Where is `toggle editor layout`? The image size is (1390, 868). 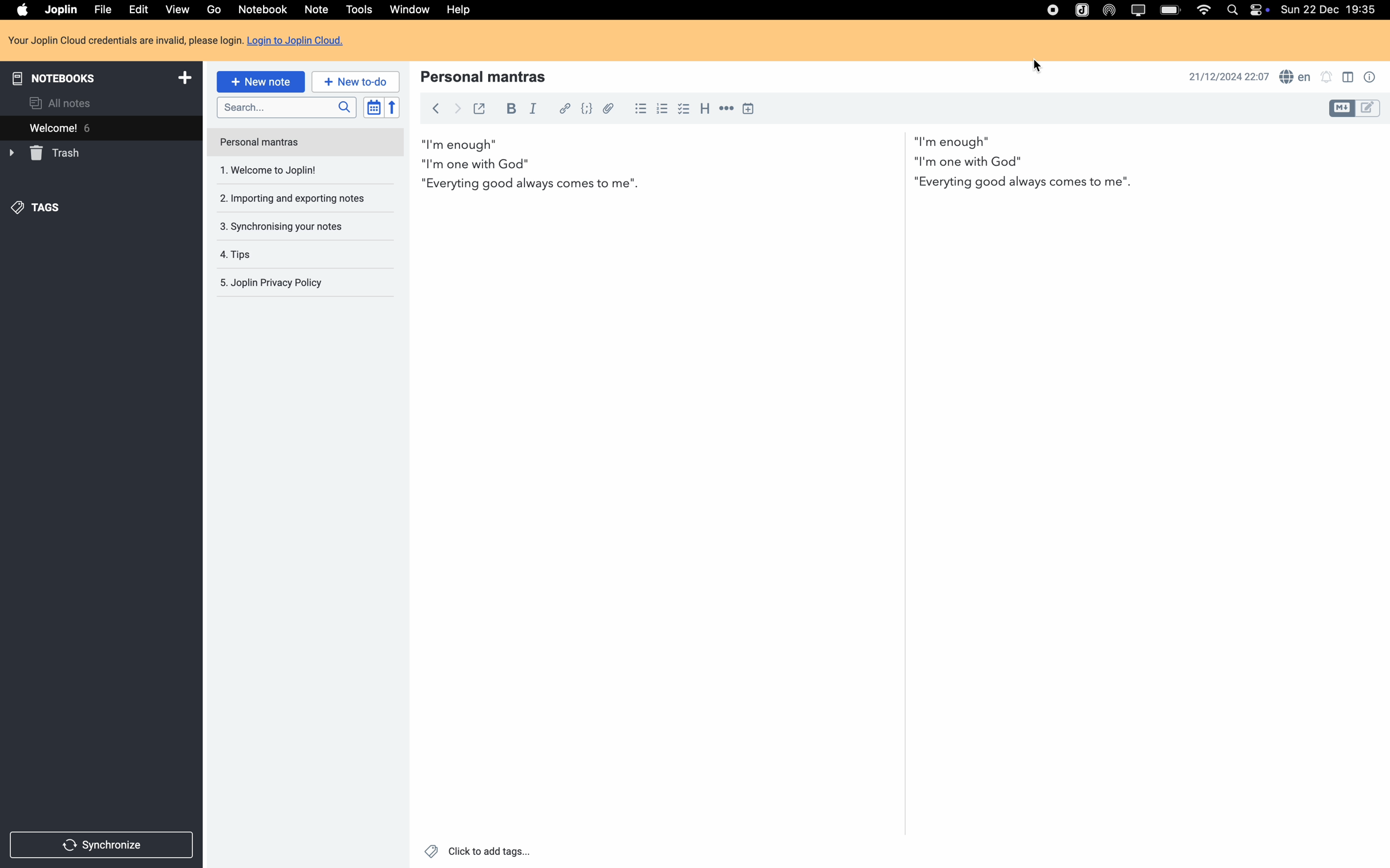 toggle editor layout is located at coordinates (1369, 108).